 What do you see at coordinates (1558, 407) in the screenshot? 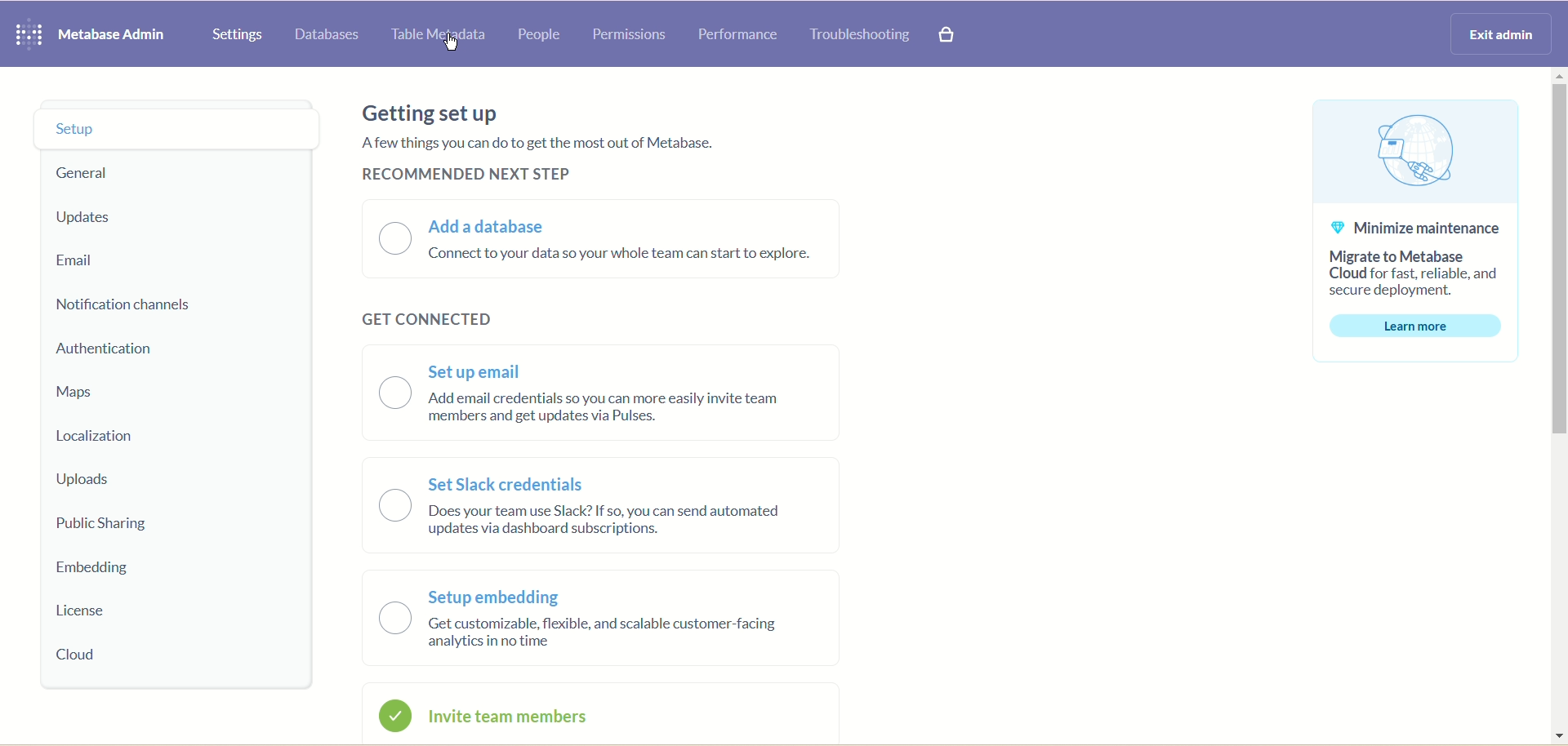
I see `vertical scroll bar` at bounding box center [1558, 407].